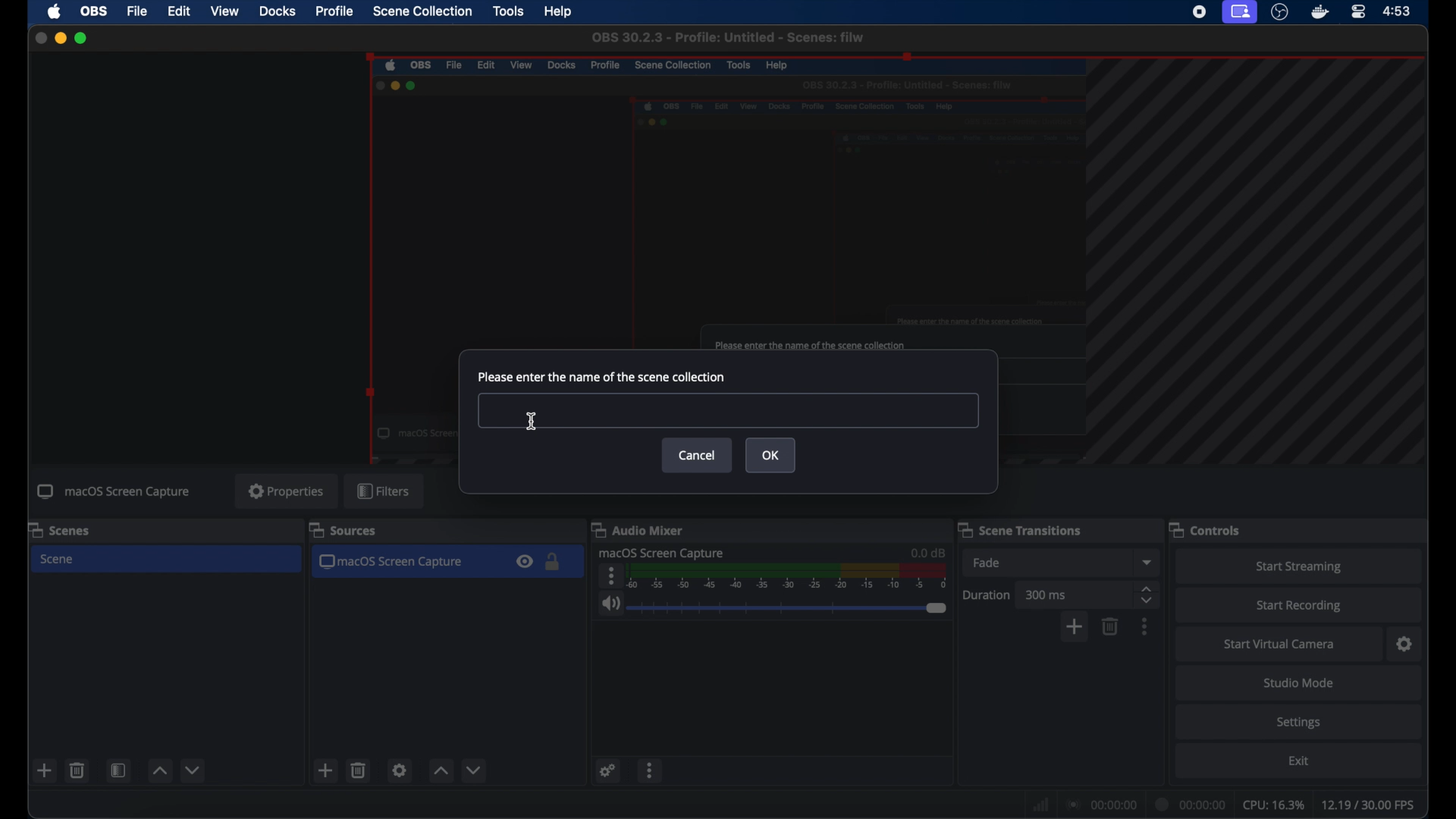  What do you see at coordinates (334, 12) in the screenshot?
I see `profile` at bounding box center [334, 12].